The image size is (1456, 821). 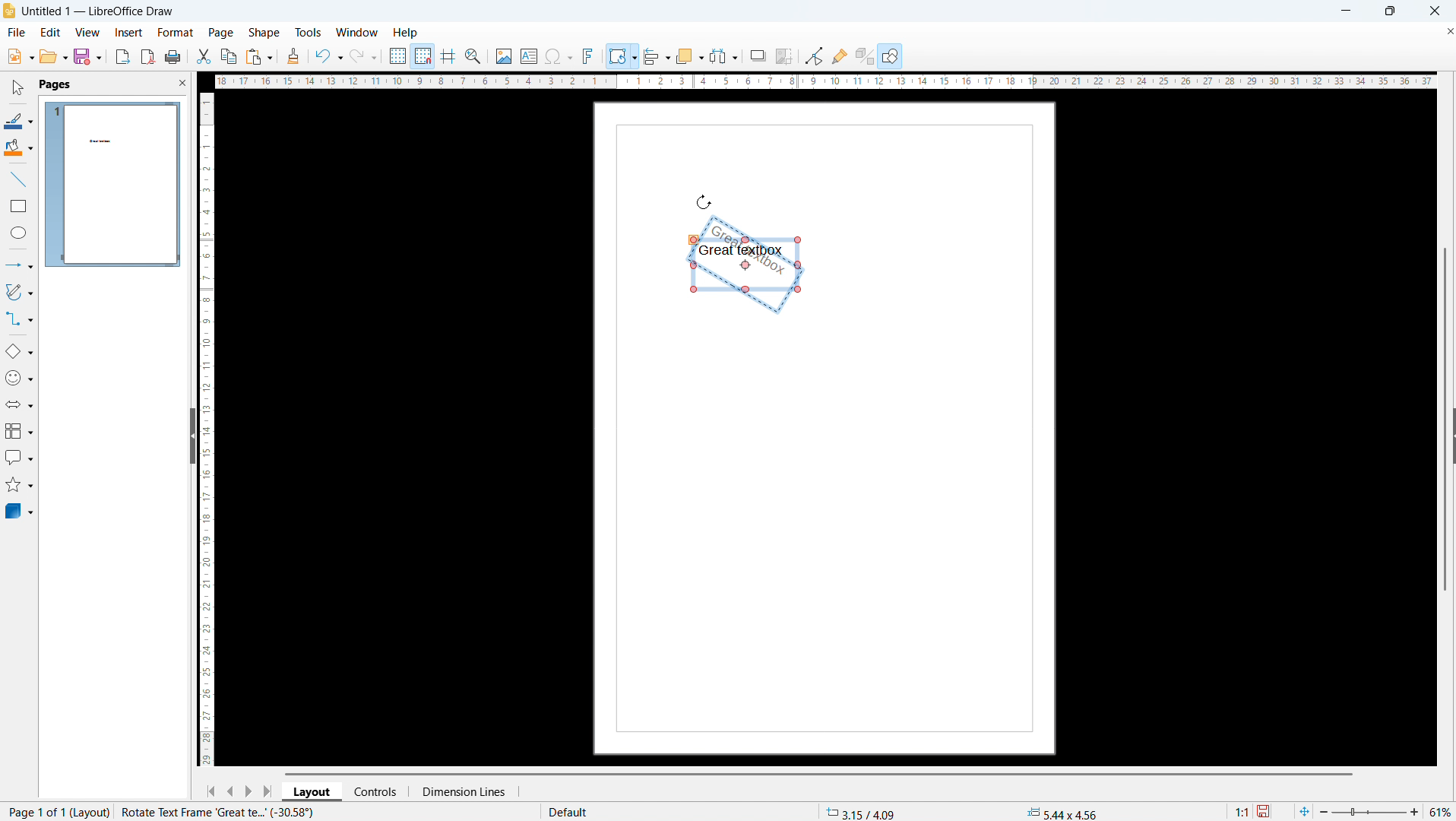 What do you see at coordinates (689, 55) in the screenshot?
I see `arrange` at bounding box center [689, 55].